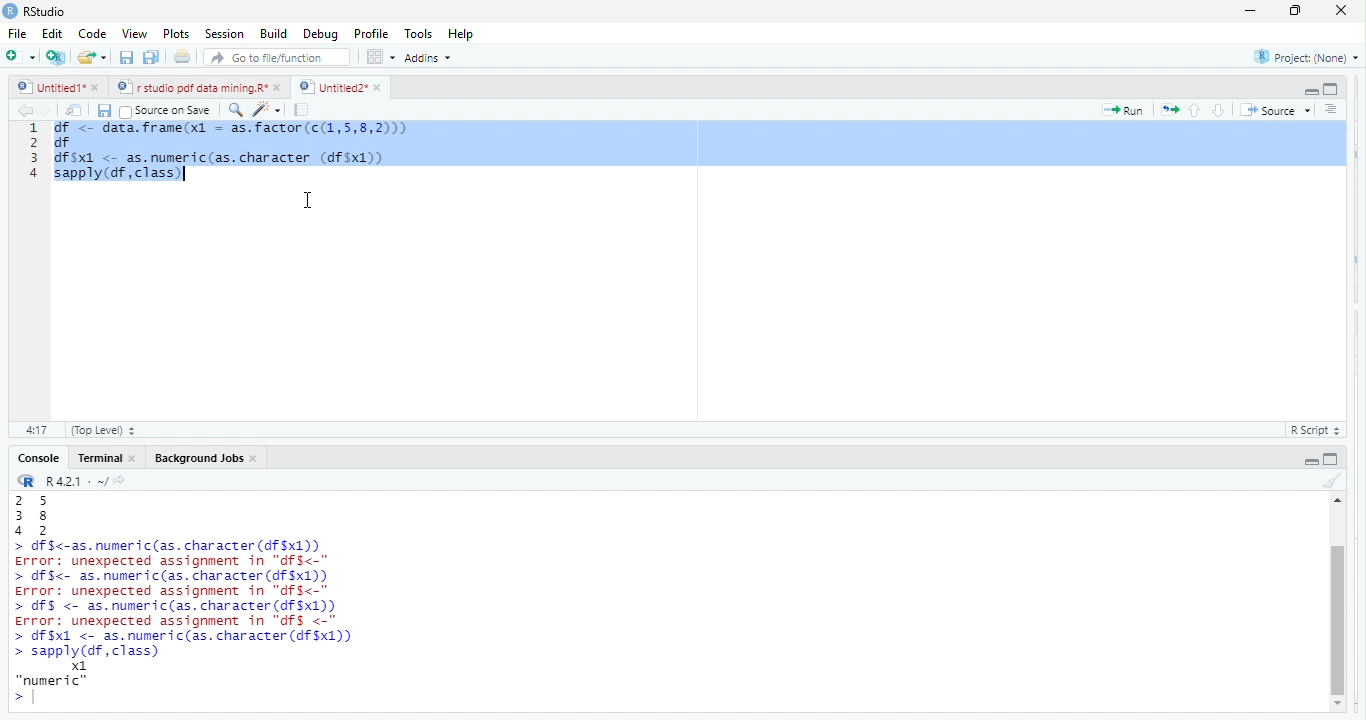 This screenshot has width=1366, height=720. I want to click on Edit, so click(55, 34).